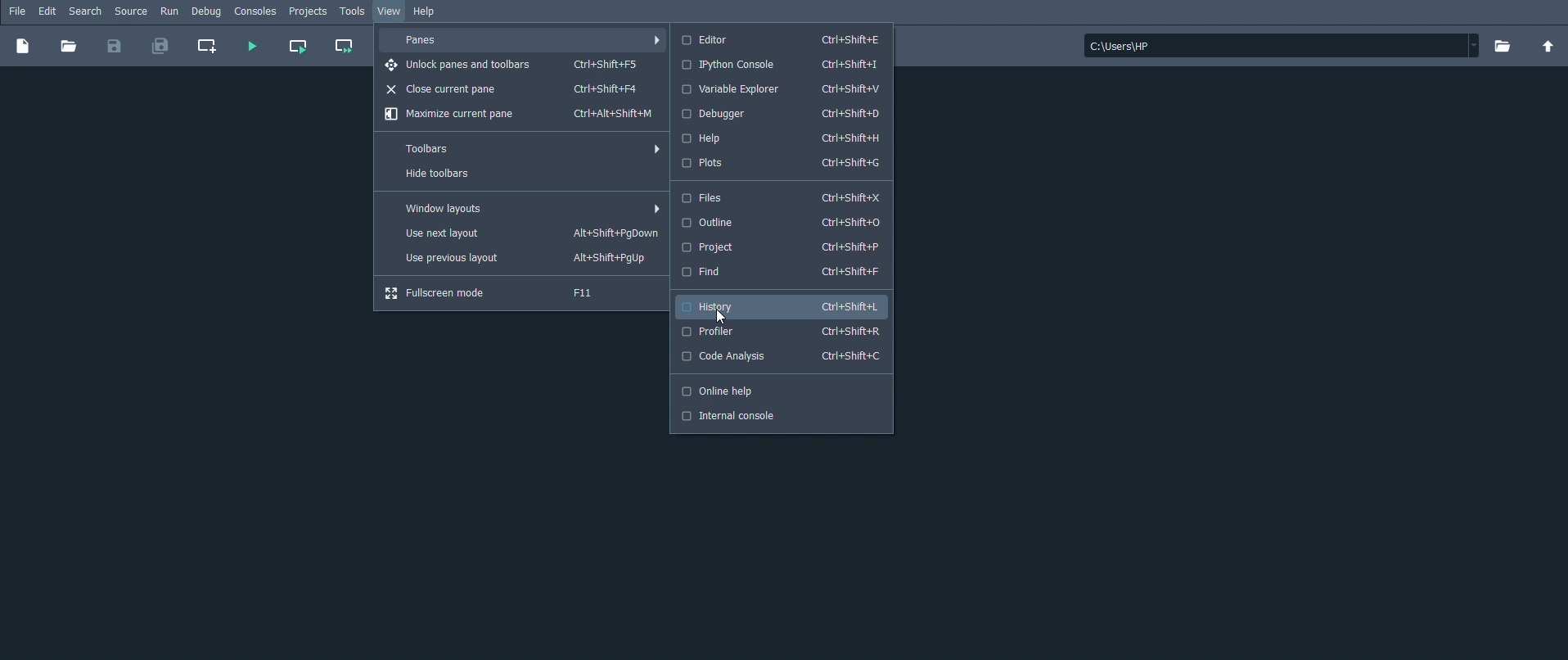  I want to click on Find, so click(786, 272).